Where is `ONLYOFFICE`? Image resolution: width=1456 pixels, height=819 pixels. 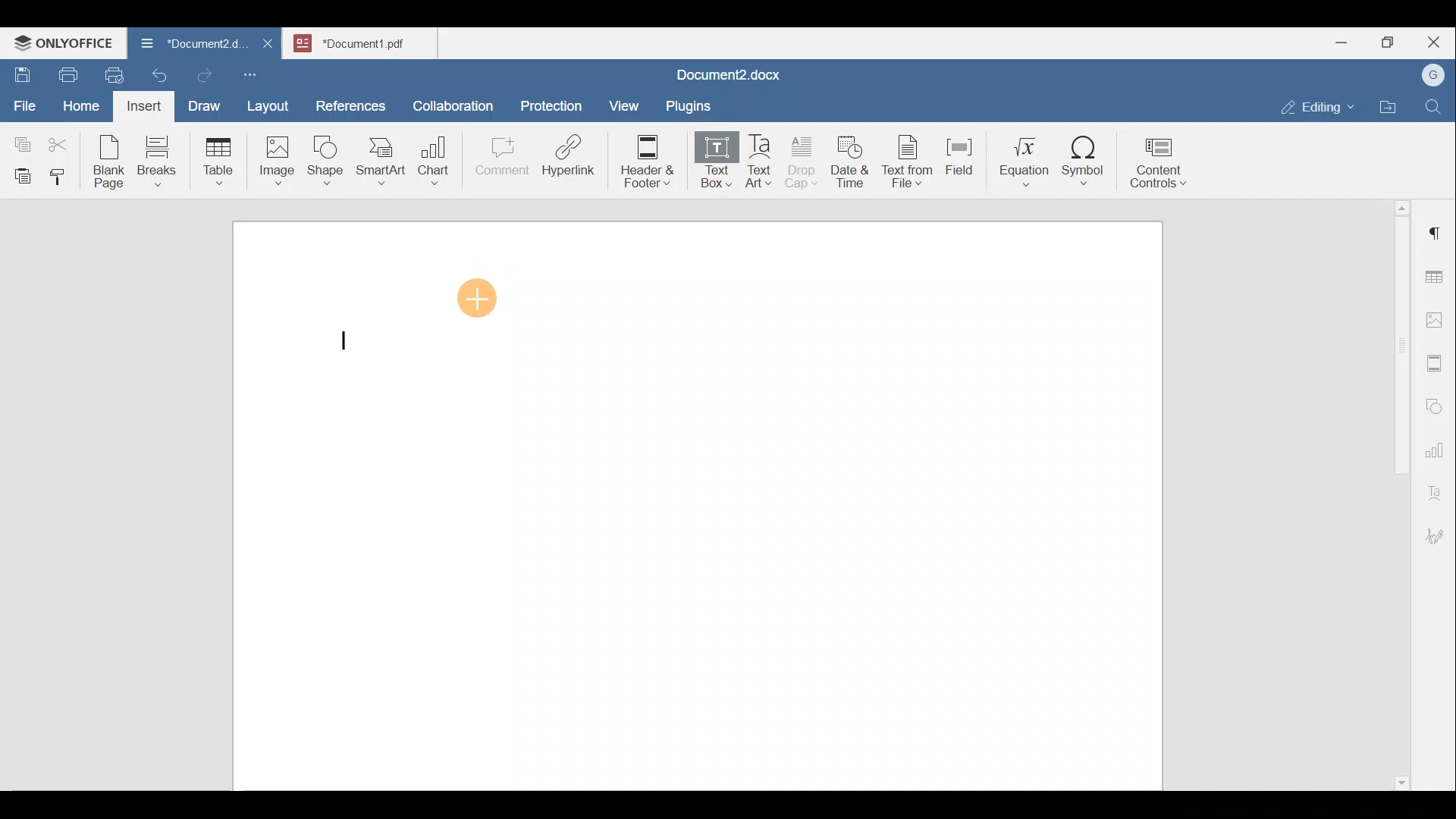
ONLYOFFICE is located at coordinates (64, 42).